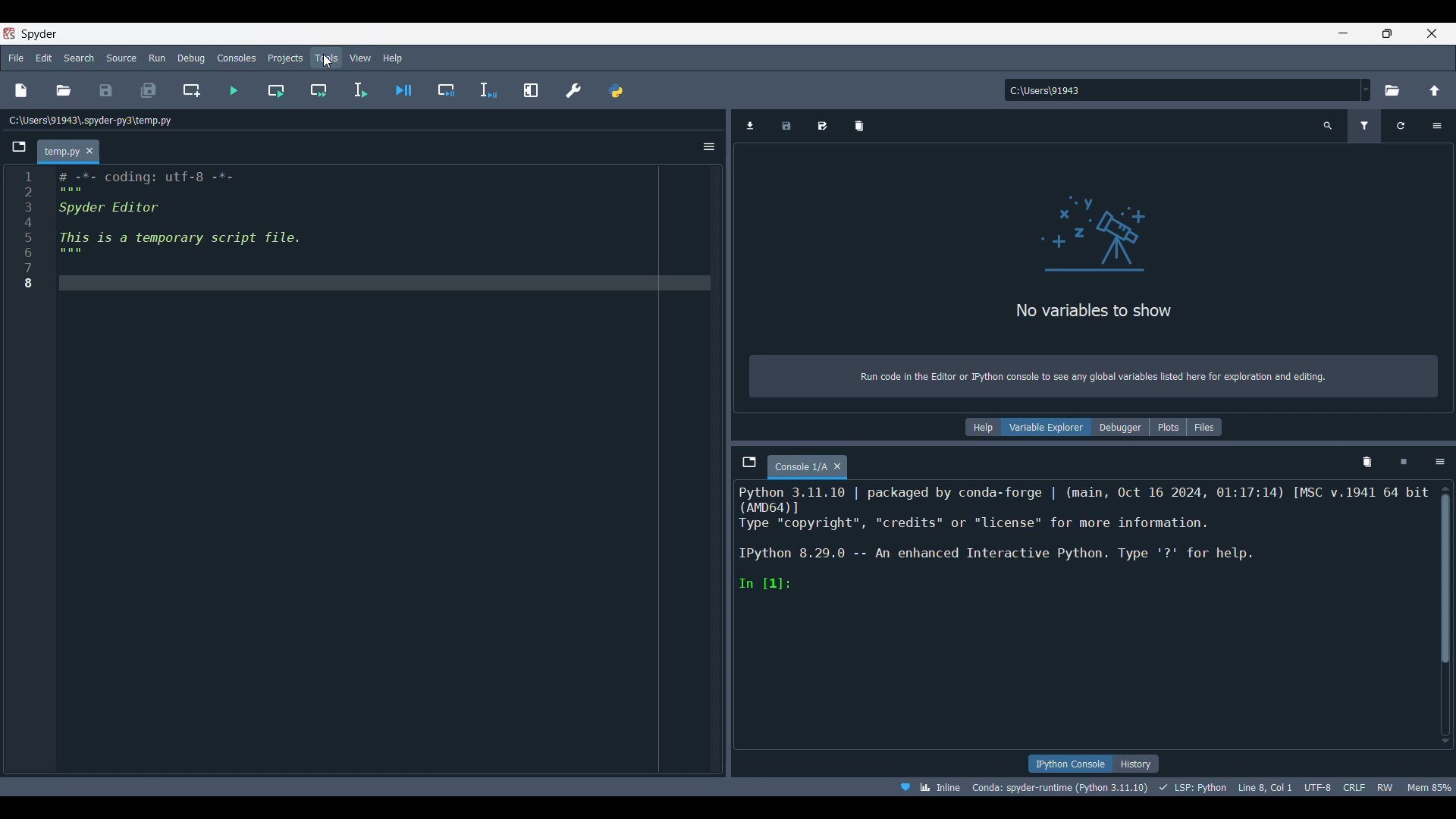 The height and width of the screenshot is (819, 1456). I want to click on Input location, so click(1181, 89).